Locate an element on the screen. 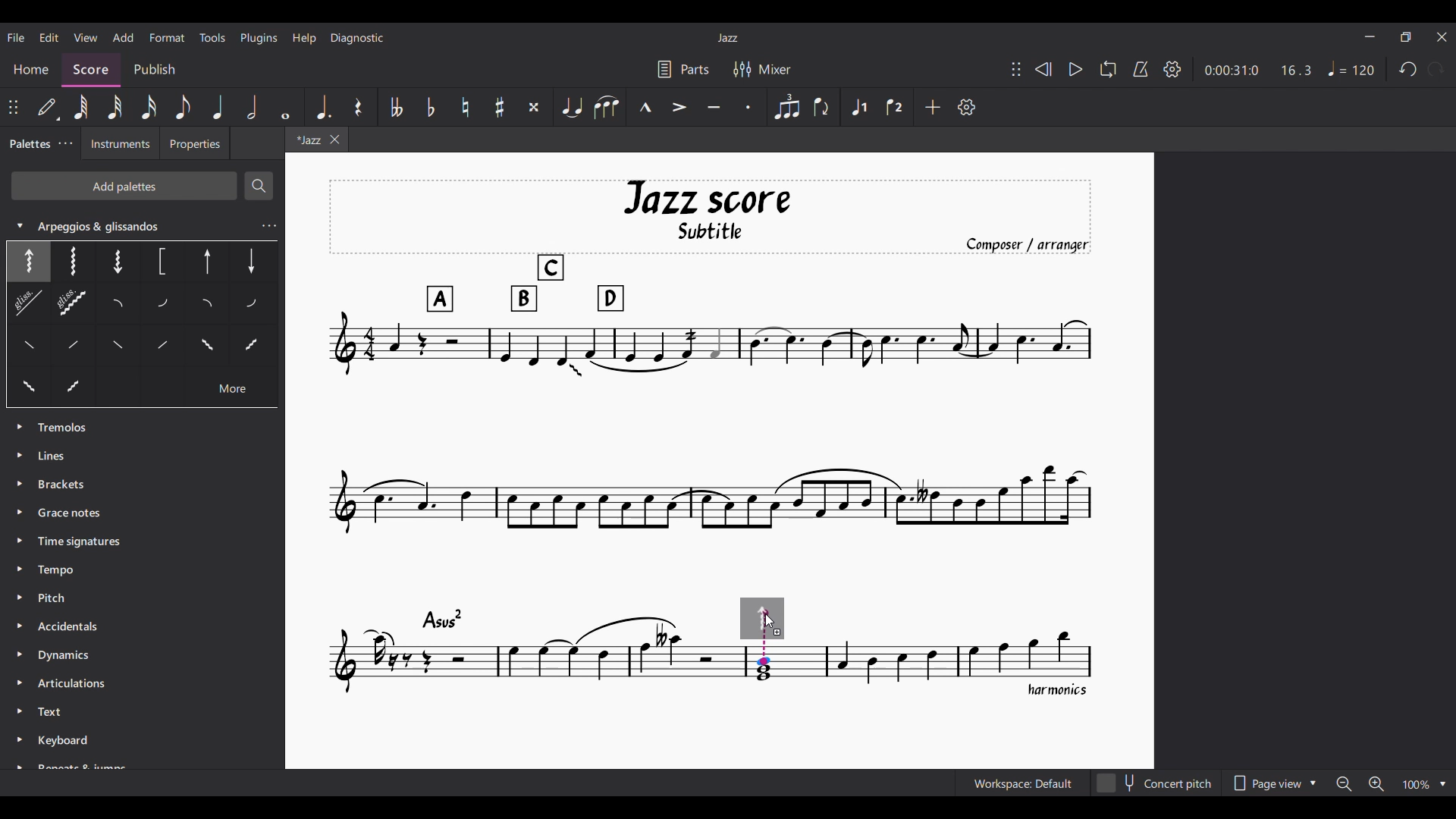  Help menu is located at coordinates (305, 39).